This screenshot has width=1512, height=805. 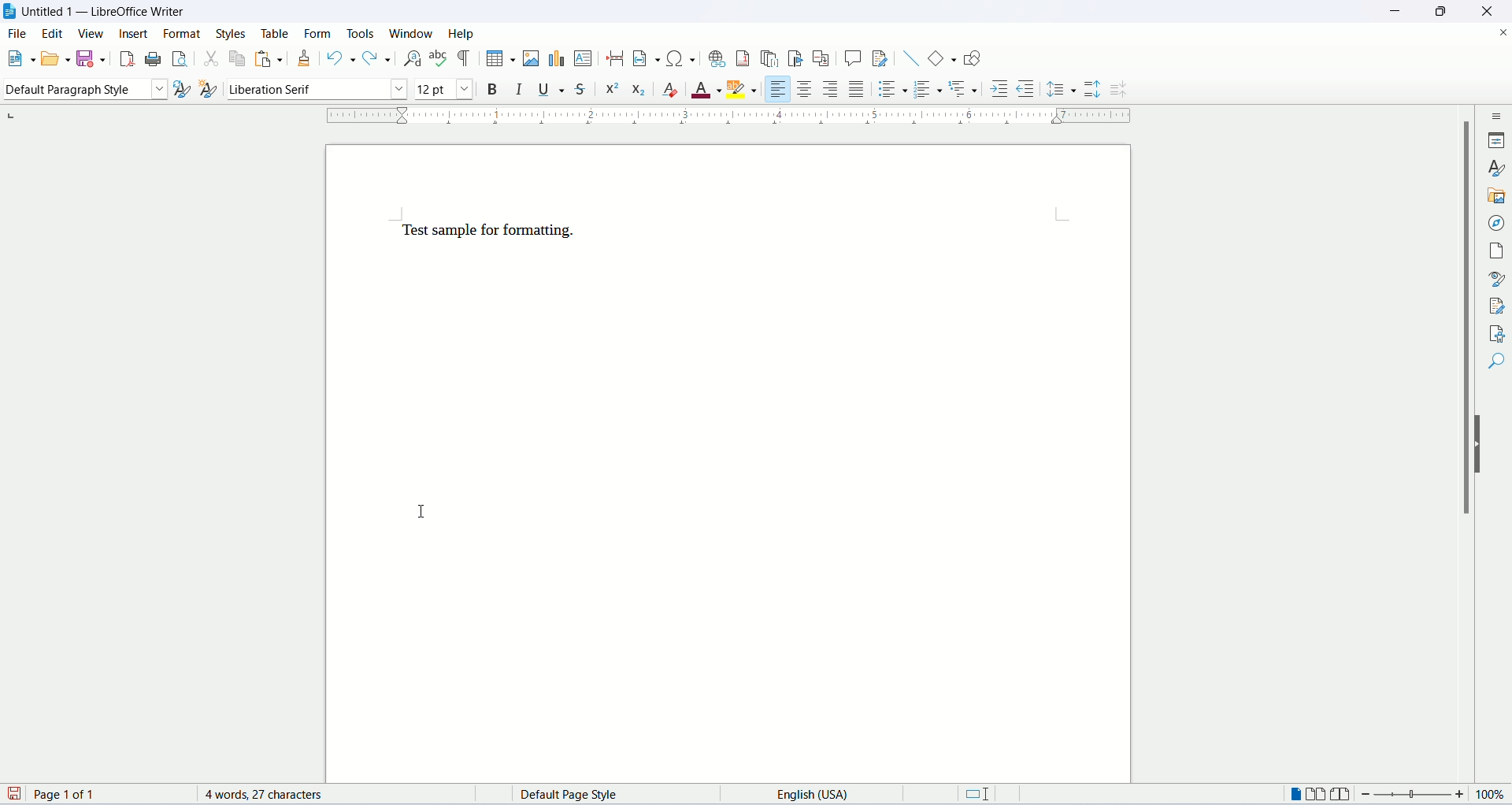 I want to click on 4 words, 27 characters, so click(x=272, y=795).